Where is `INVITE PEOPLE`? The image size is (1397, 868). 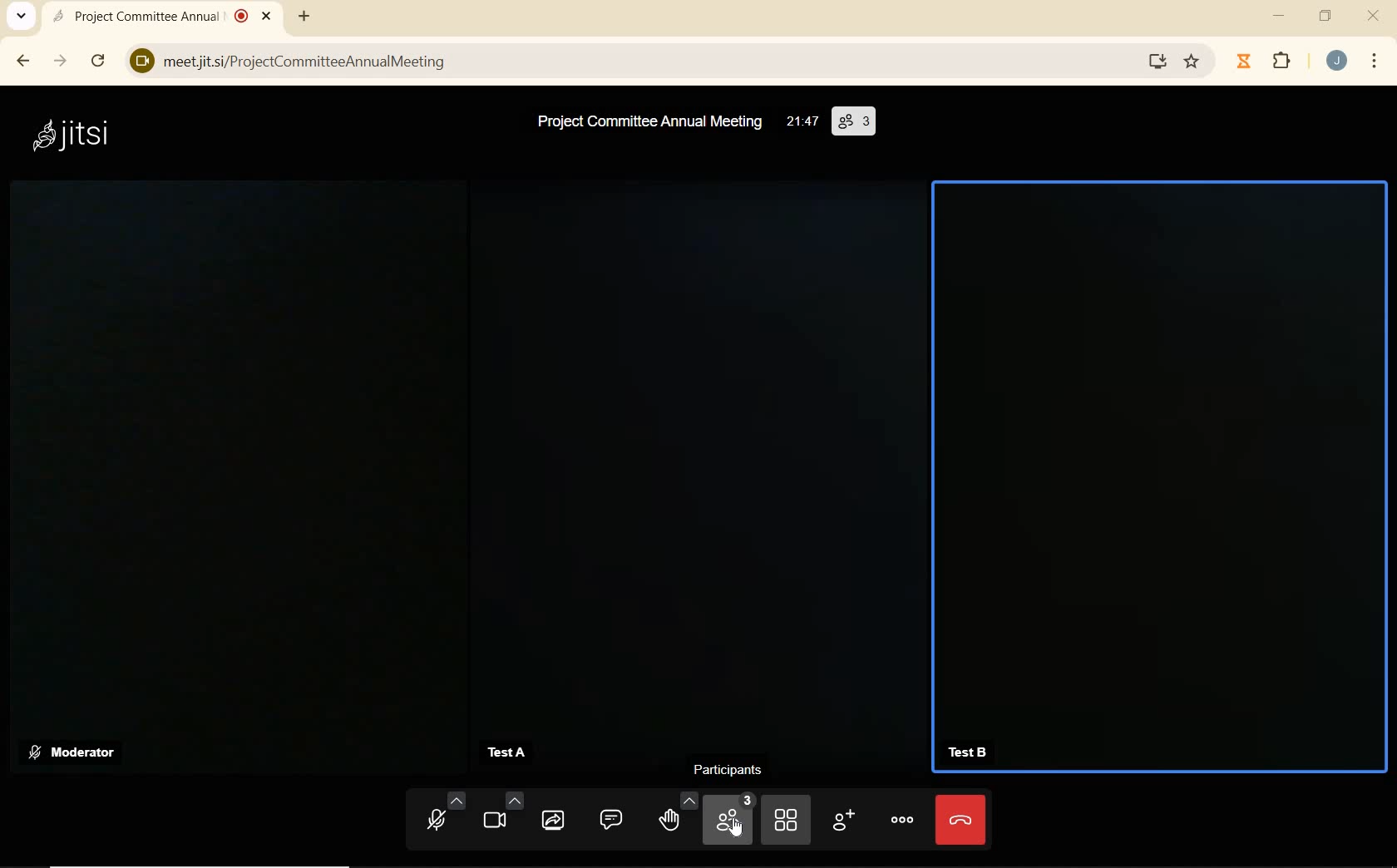
INVITE PEOPLE is located at coordinates (845, 816).